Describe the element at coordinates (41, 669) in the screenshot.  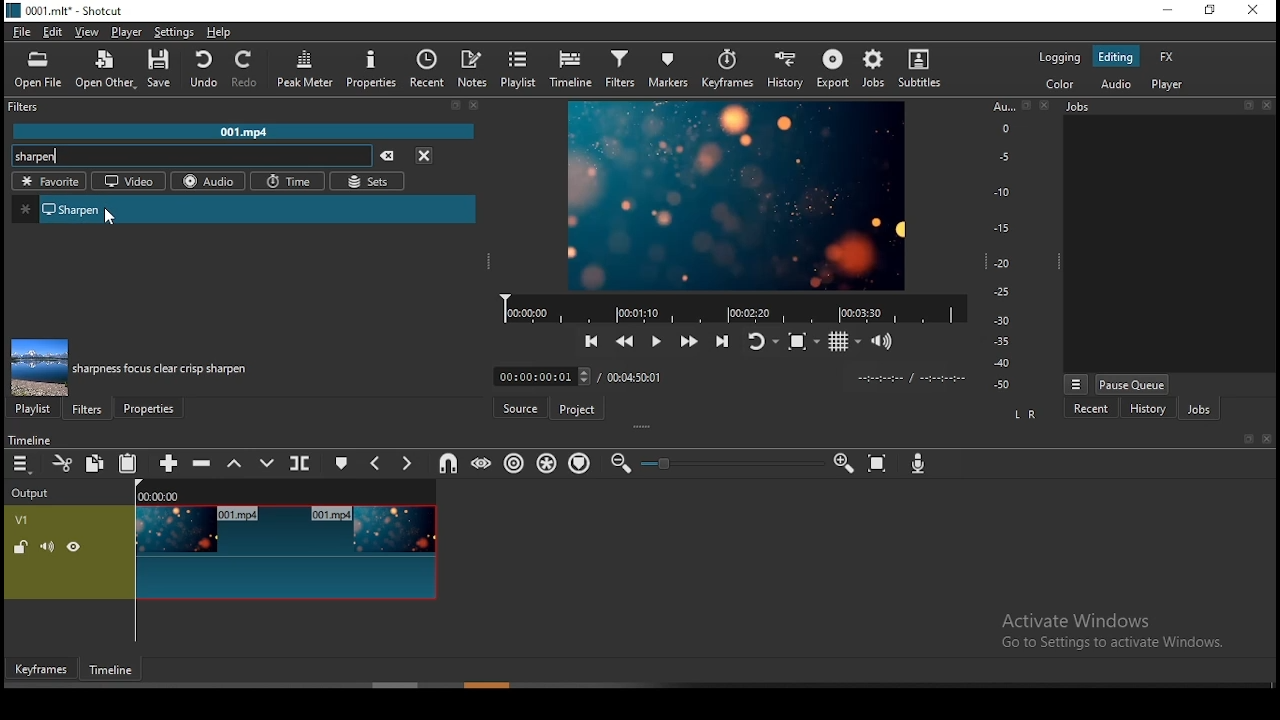
I see `keyframes` at that location.